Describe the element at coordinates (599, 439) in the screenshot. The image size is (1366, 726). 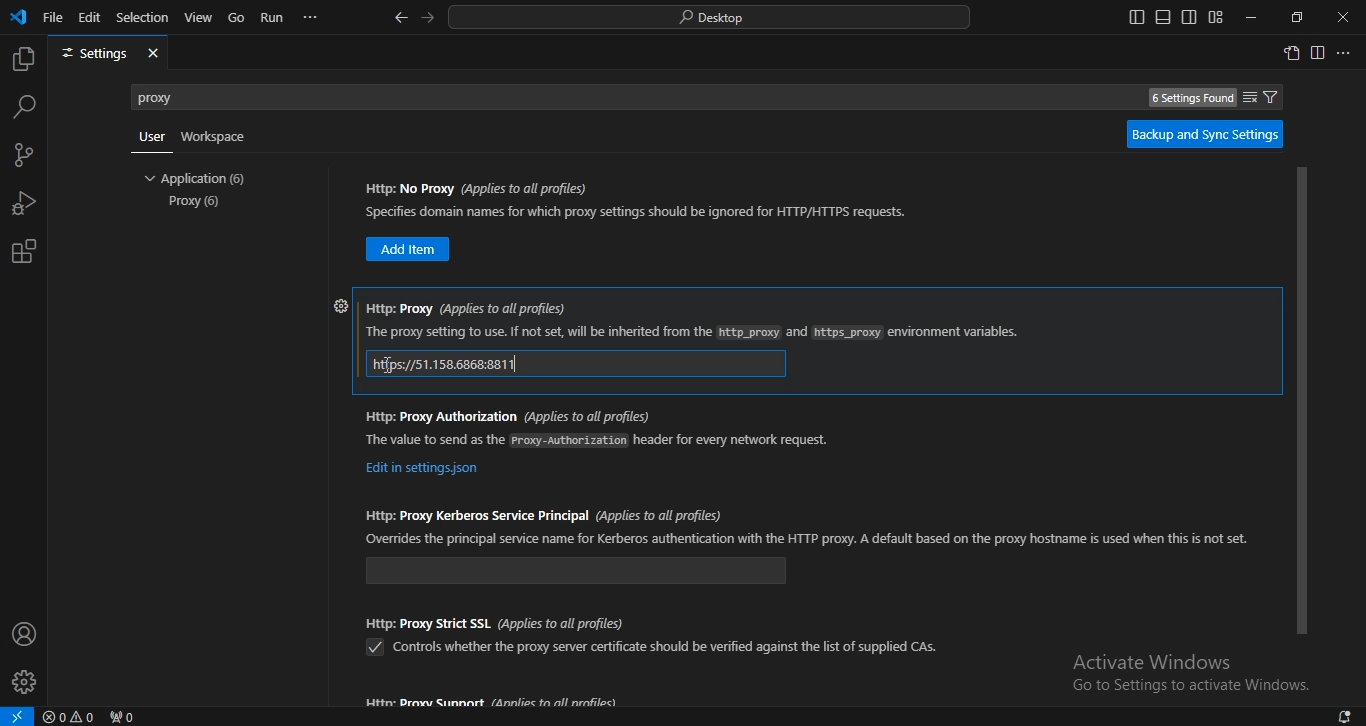
I see `https: proxy authorization` at that location.